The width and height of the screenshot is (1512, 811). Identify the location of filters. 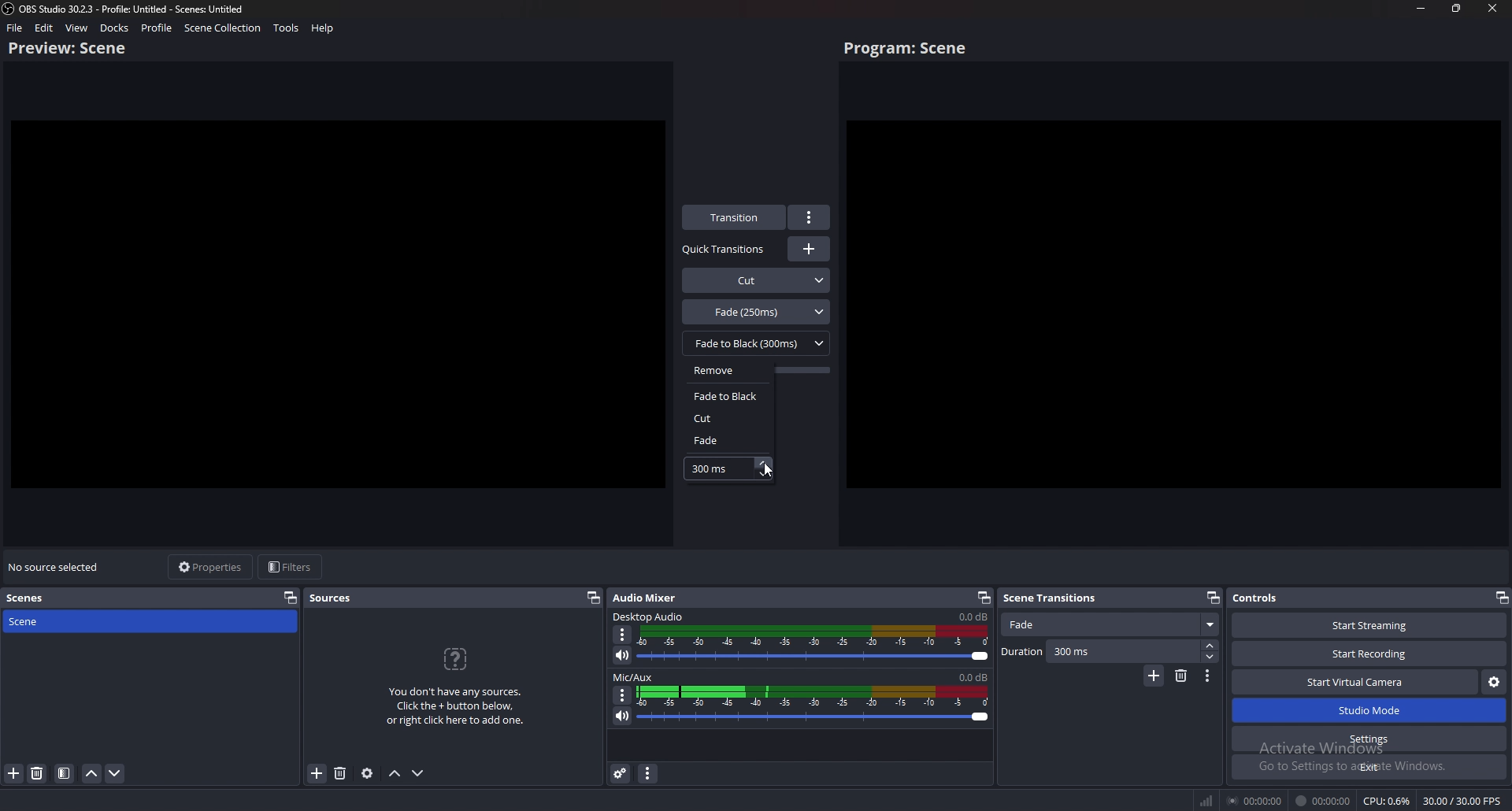
(292, 568).